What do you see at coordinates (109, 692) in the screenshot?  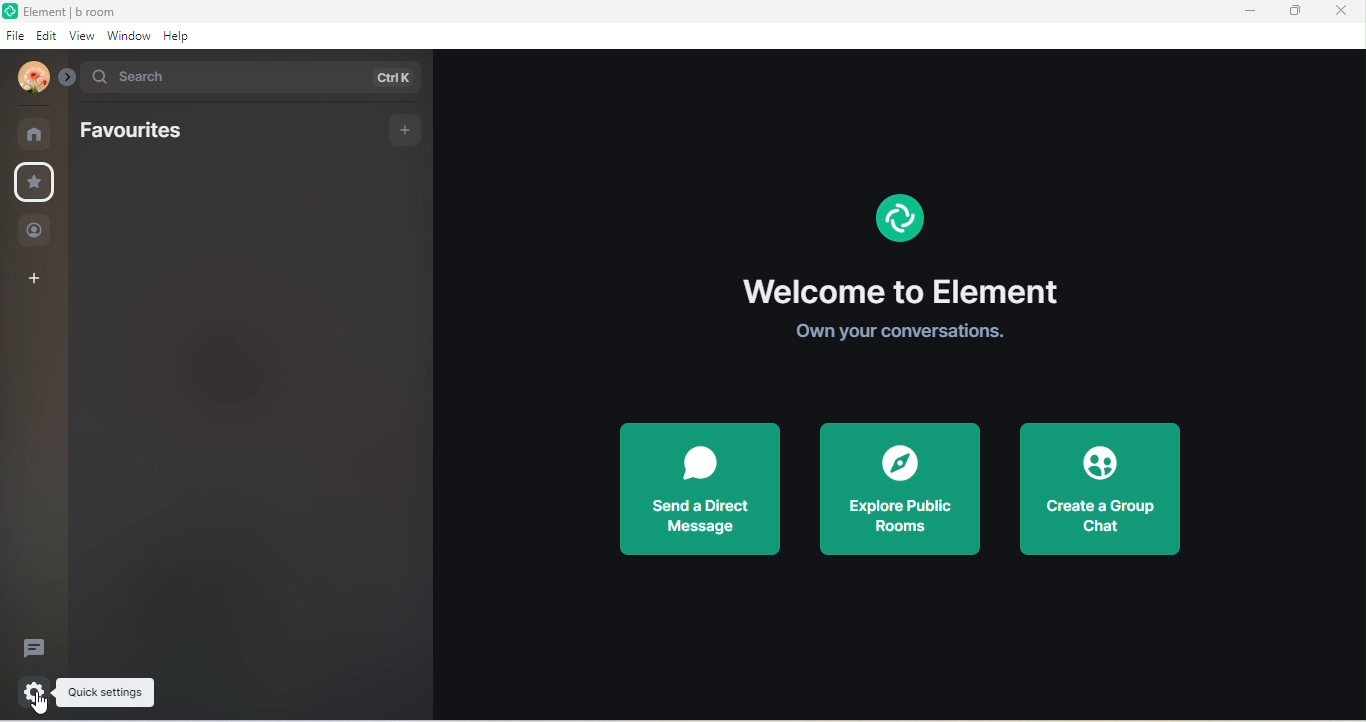 I see `quick settings tooltips` at bounding box center [109, 692].